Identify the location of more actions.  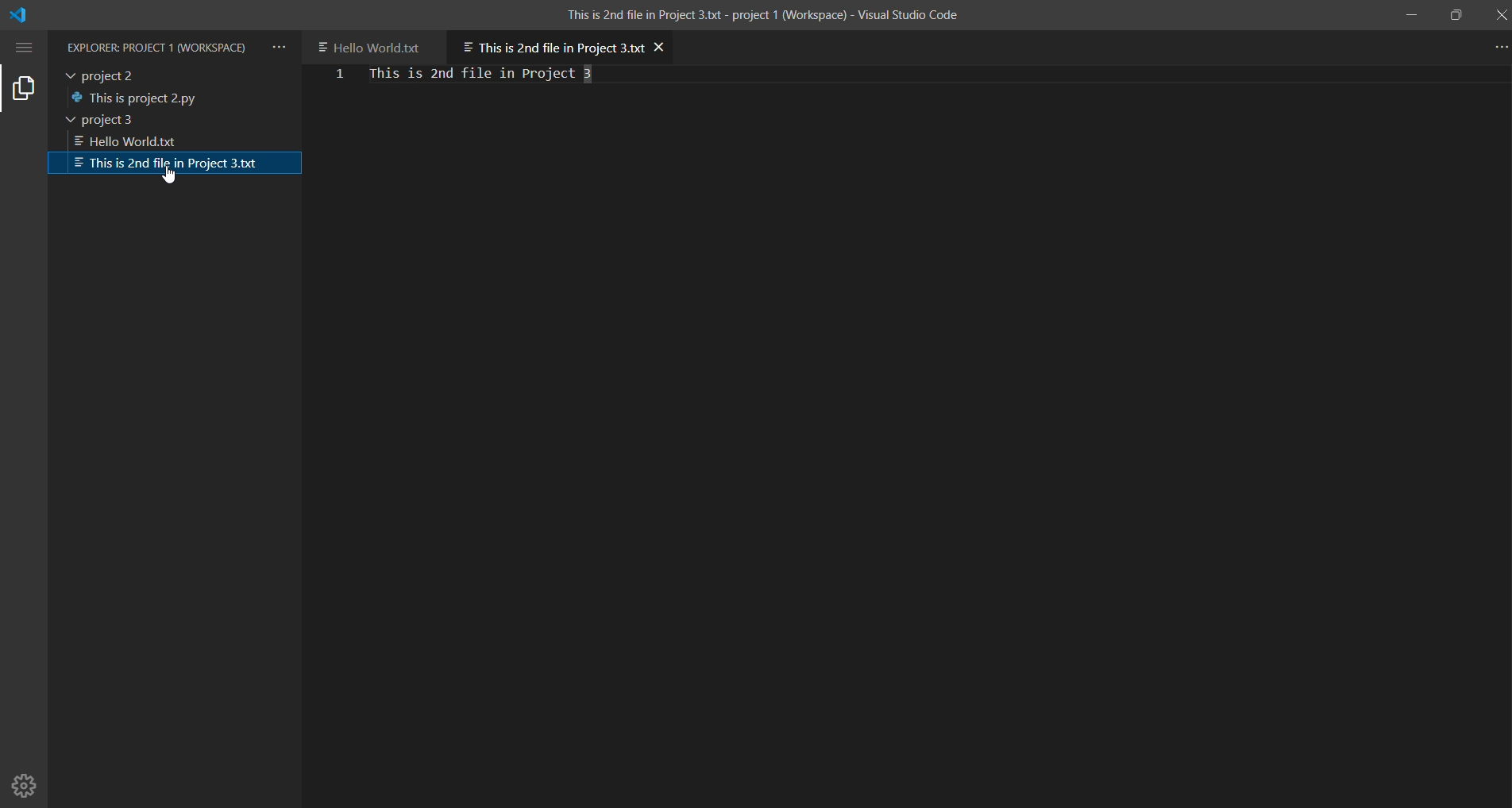
(1495, 46).